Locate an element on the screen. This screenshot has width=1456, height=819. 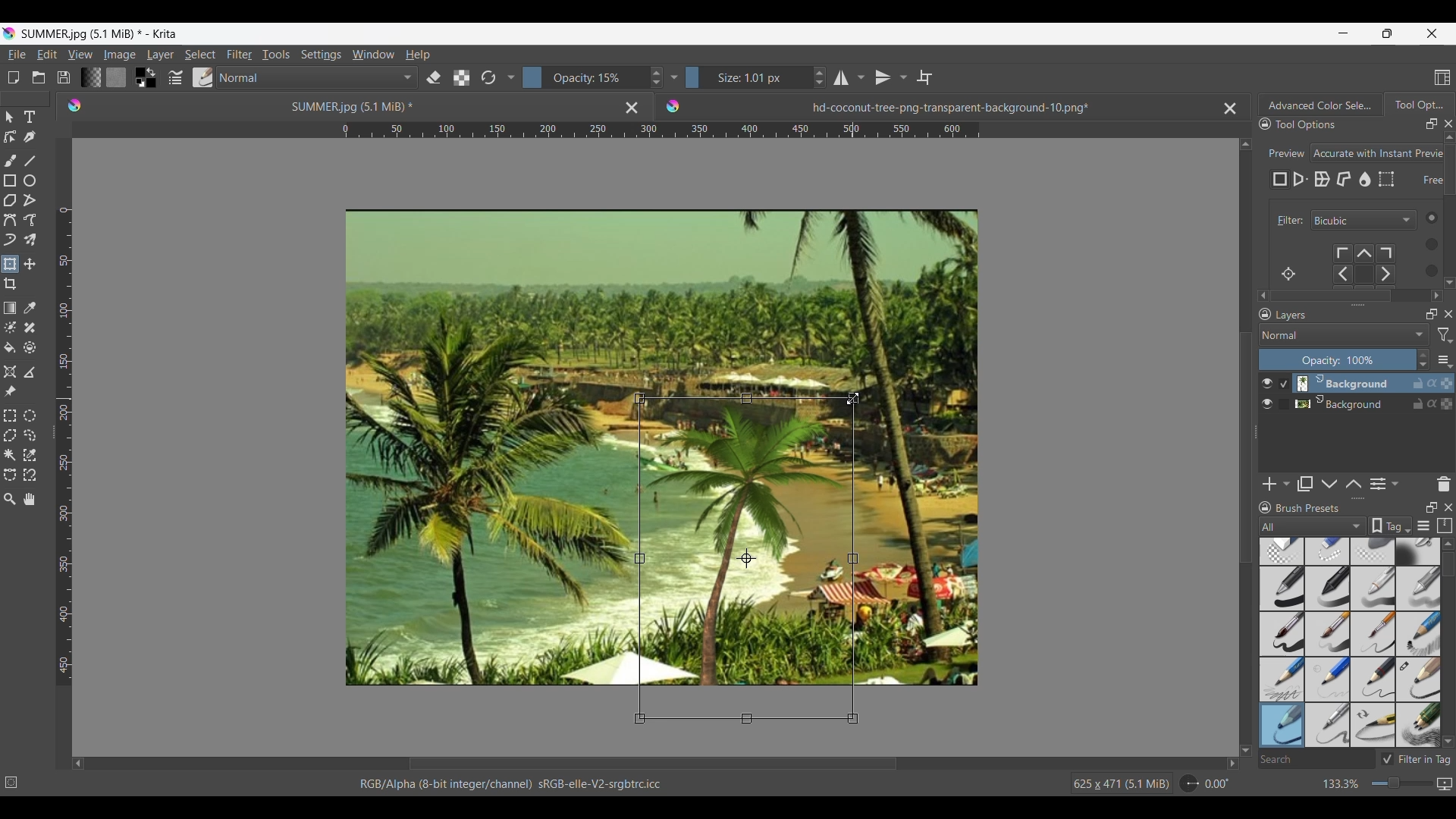
Free is located at coordinates (1280, 180).